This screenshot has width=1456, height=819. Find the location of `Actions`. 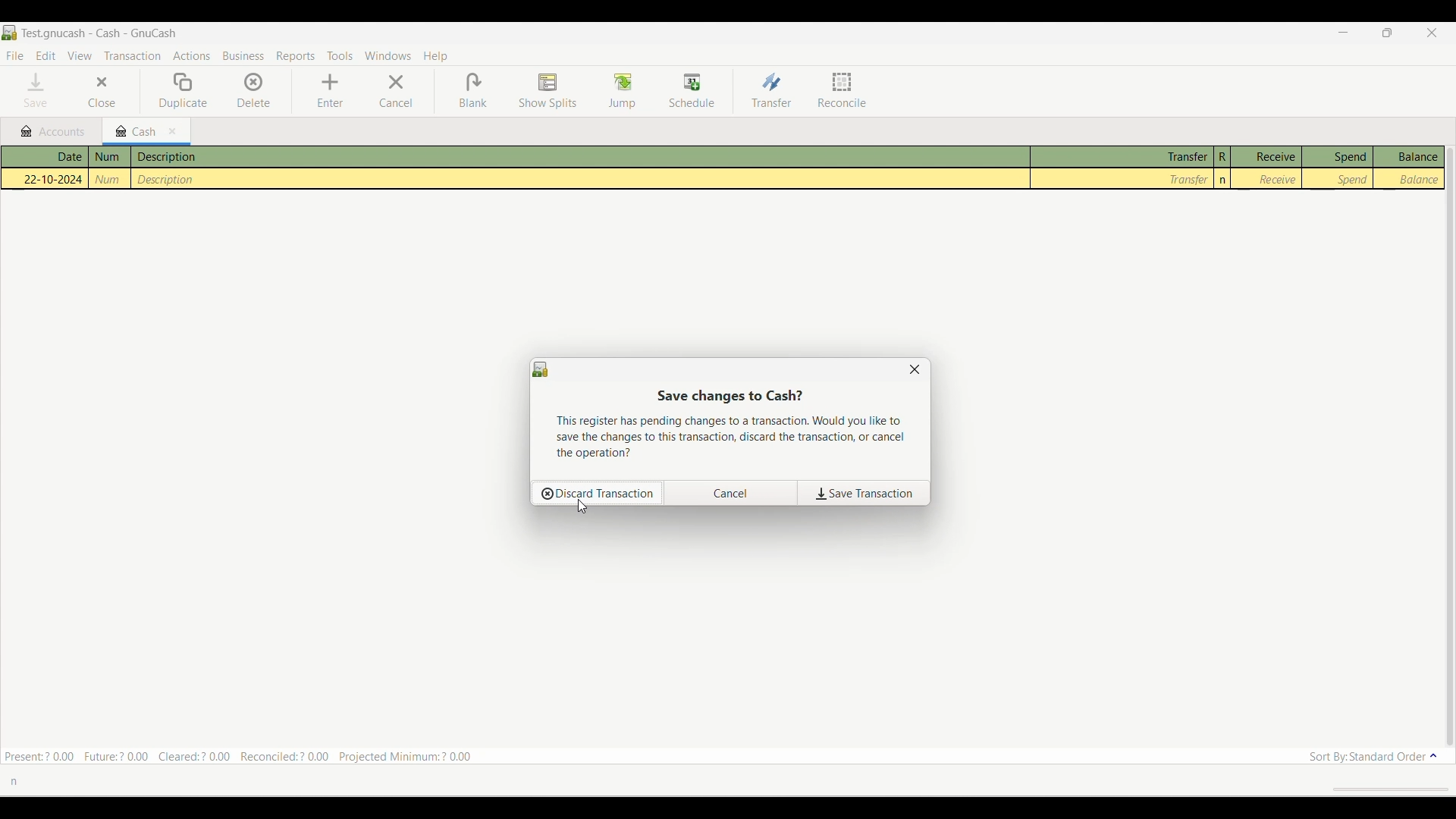

Actions is located at coordinates (191, 55).